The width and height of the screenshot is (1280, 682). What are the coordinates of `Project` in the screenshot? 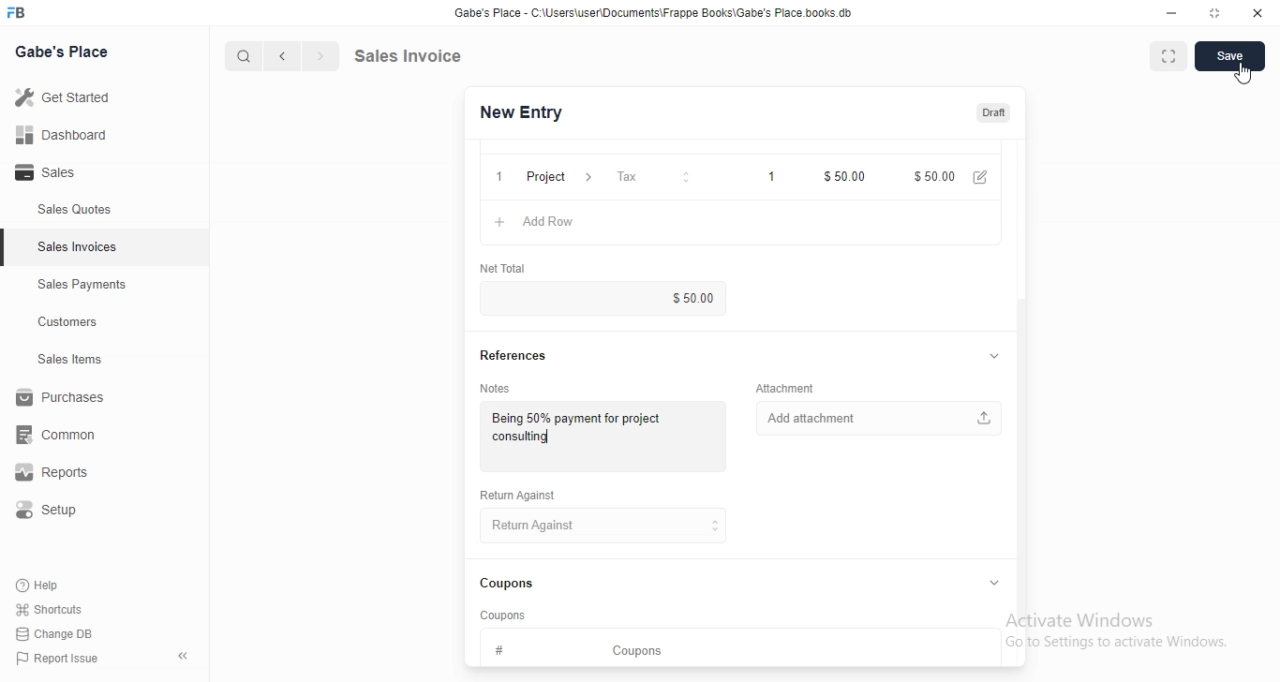 It's located at (557, 175).